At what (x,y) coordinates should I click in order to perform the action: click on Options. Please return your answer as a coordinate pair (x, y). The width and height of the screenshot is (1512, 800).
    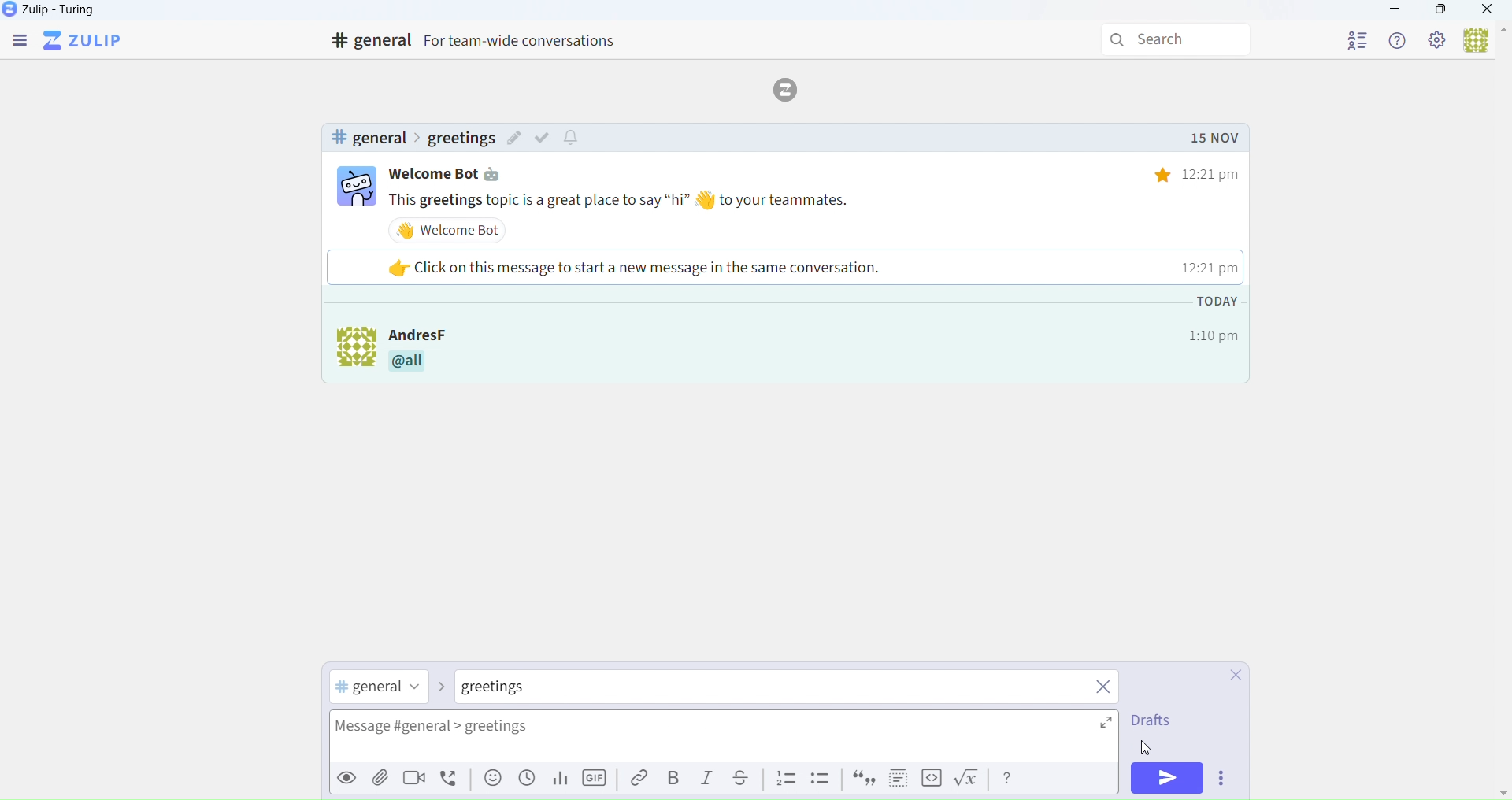
    Looking at the image, I should click on (1225, 780).